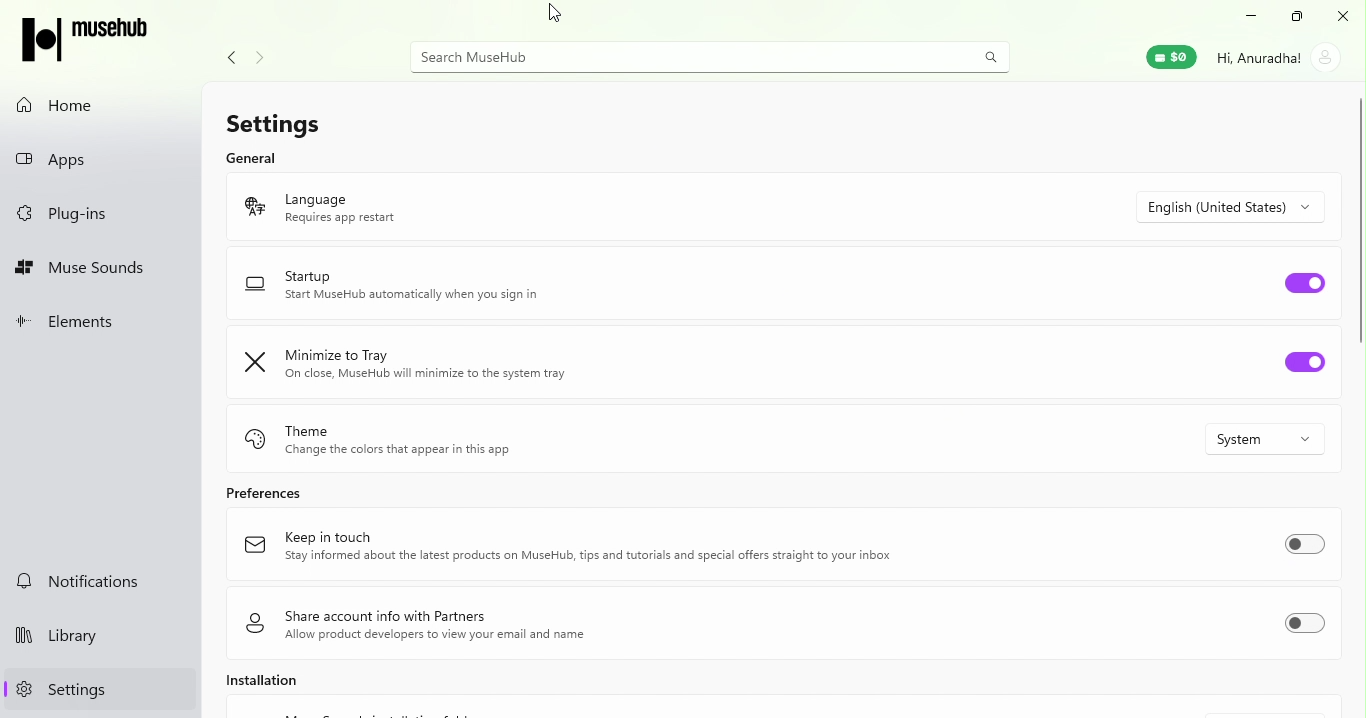 This screenshot has height=718, width=1366. Describe the element at coordinates (1269, 441) in the screenshot. I see `Drop down` at that location.